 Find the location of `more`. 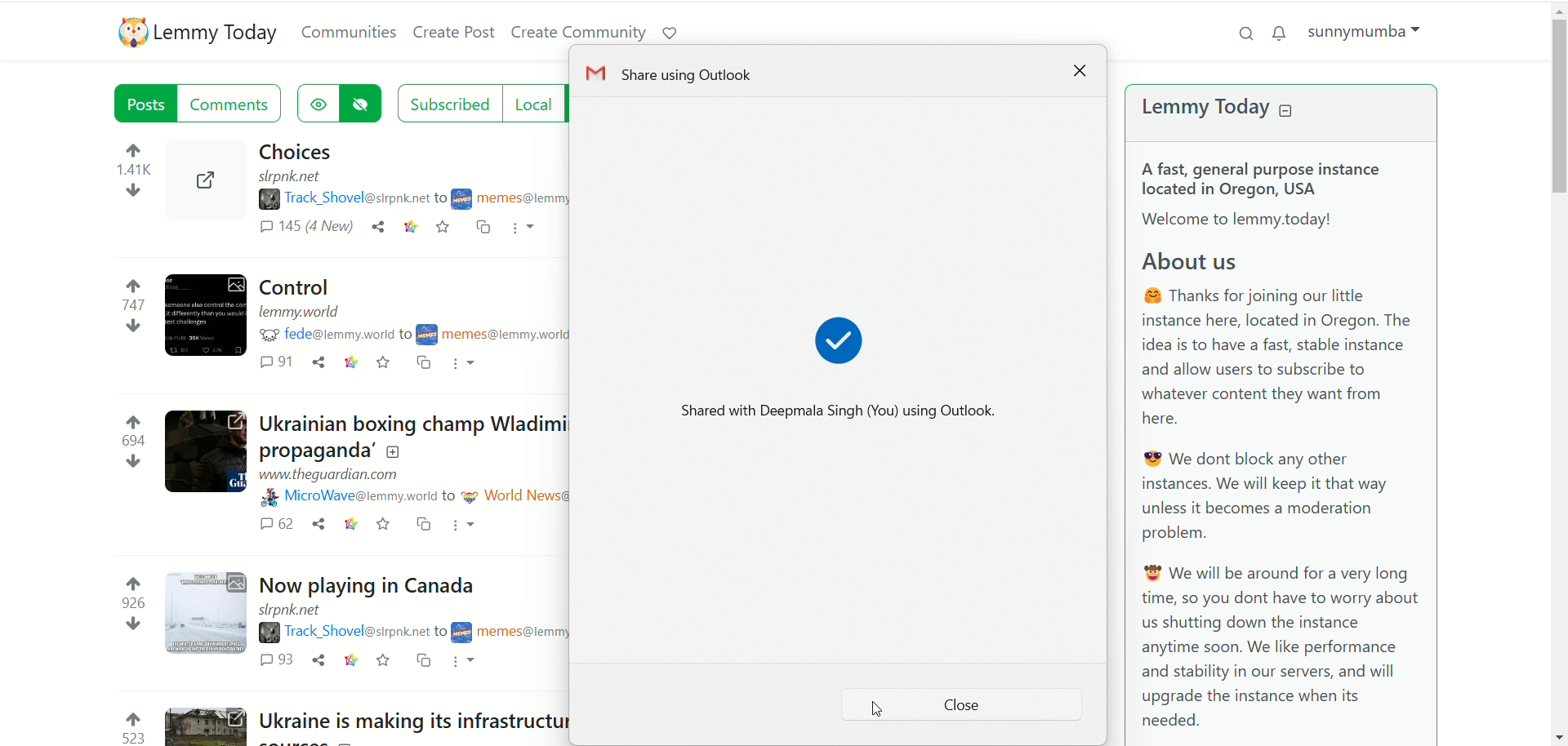

more is located at coordinates (523, 231).